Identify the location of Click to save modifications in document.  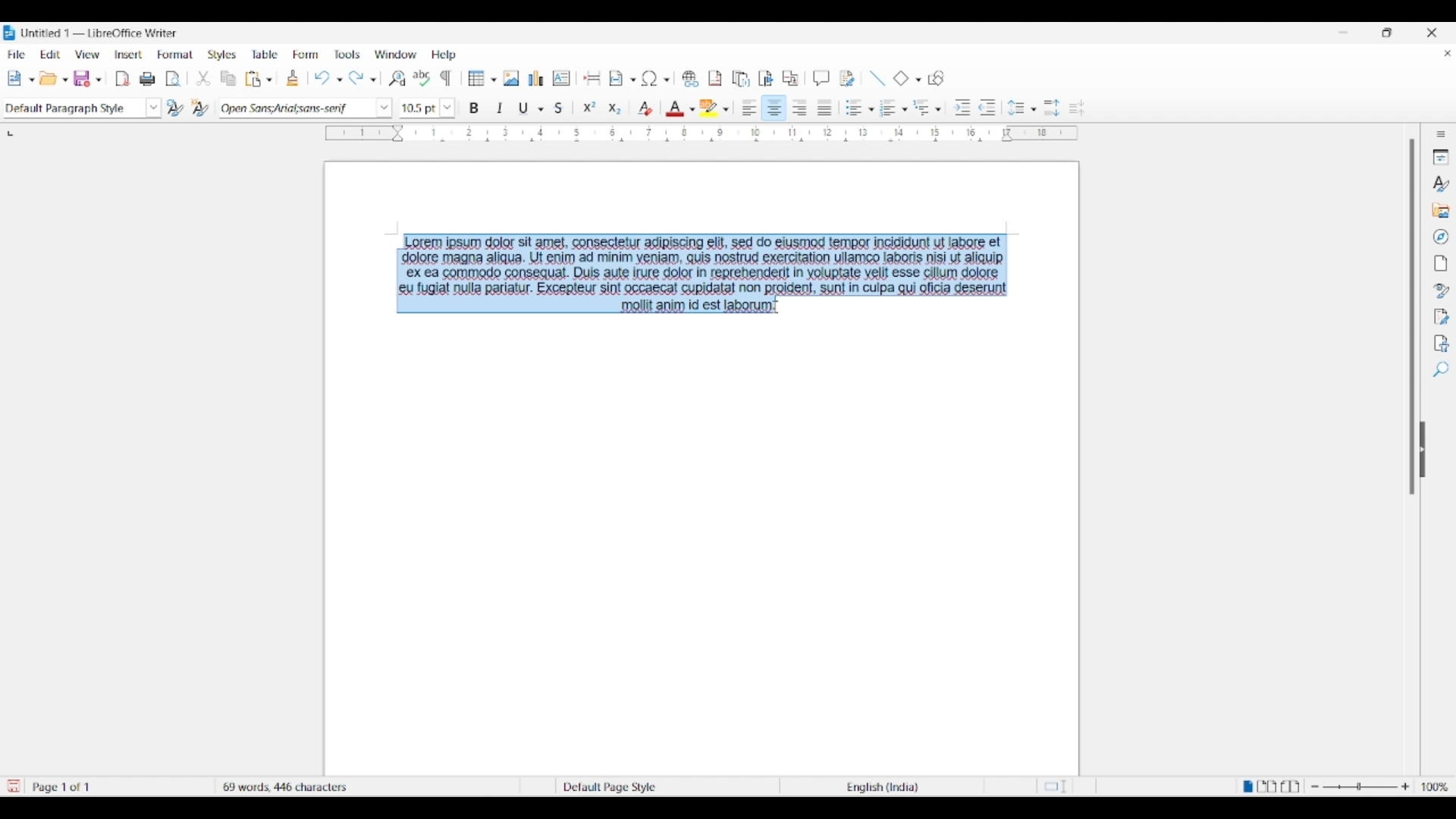
(12, 786).